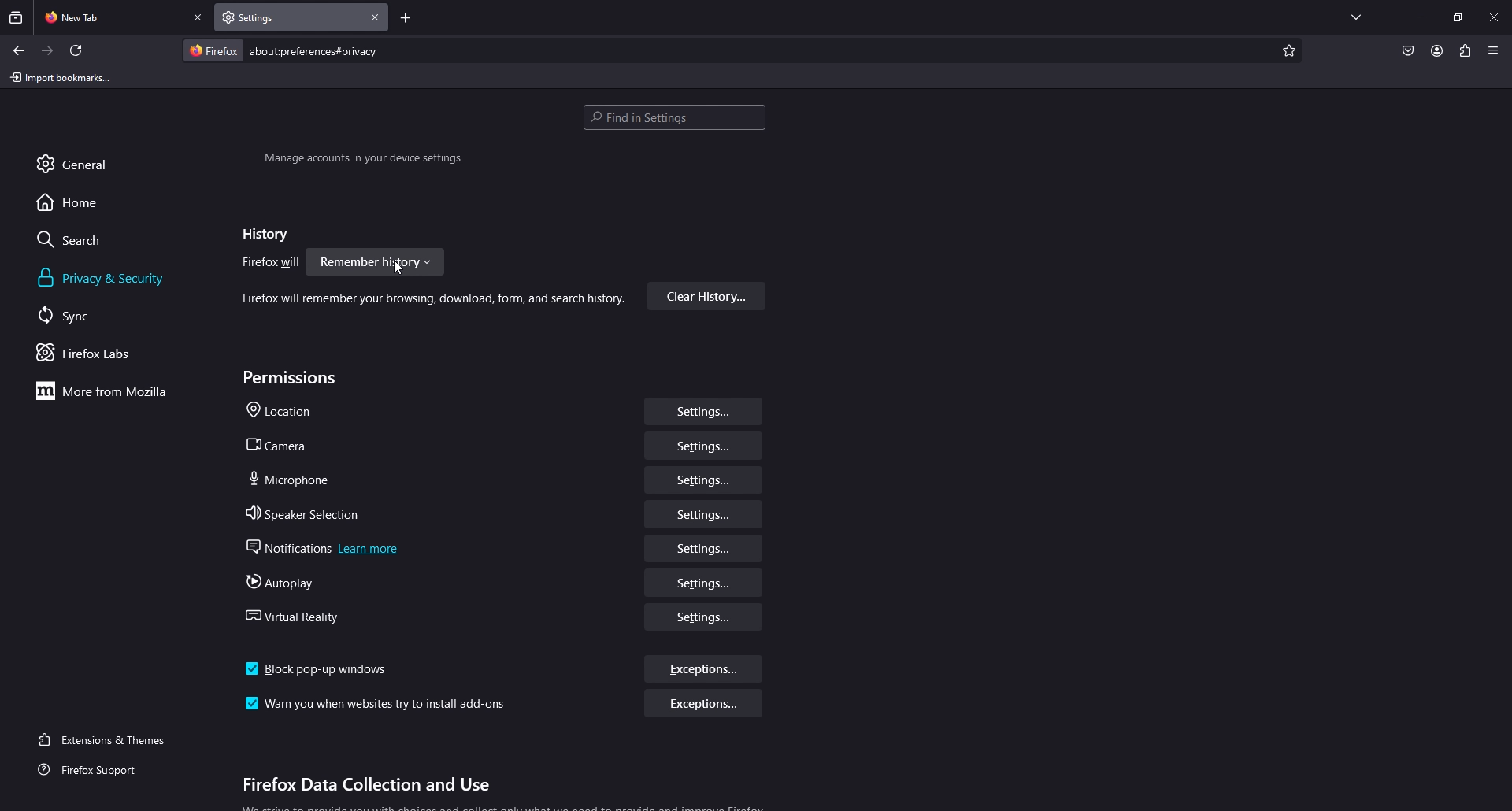 The image size is (1512, 811). What do you see at coordinates (90, 163) in the screenshot?
I see `general` at bounding box center [90, 163].